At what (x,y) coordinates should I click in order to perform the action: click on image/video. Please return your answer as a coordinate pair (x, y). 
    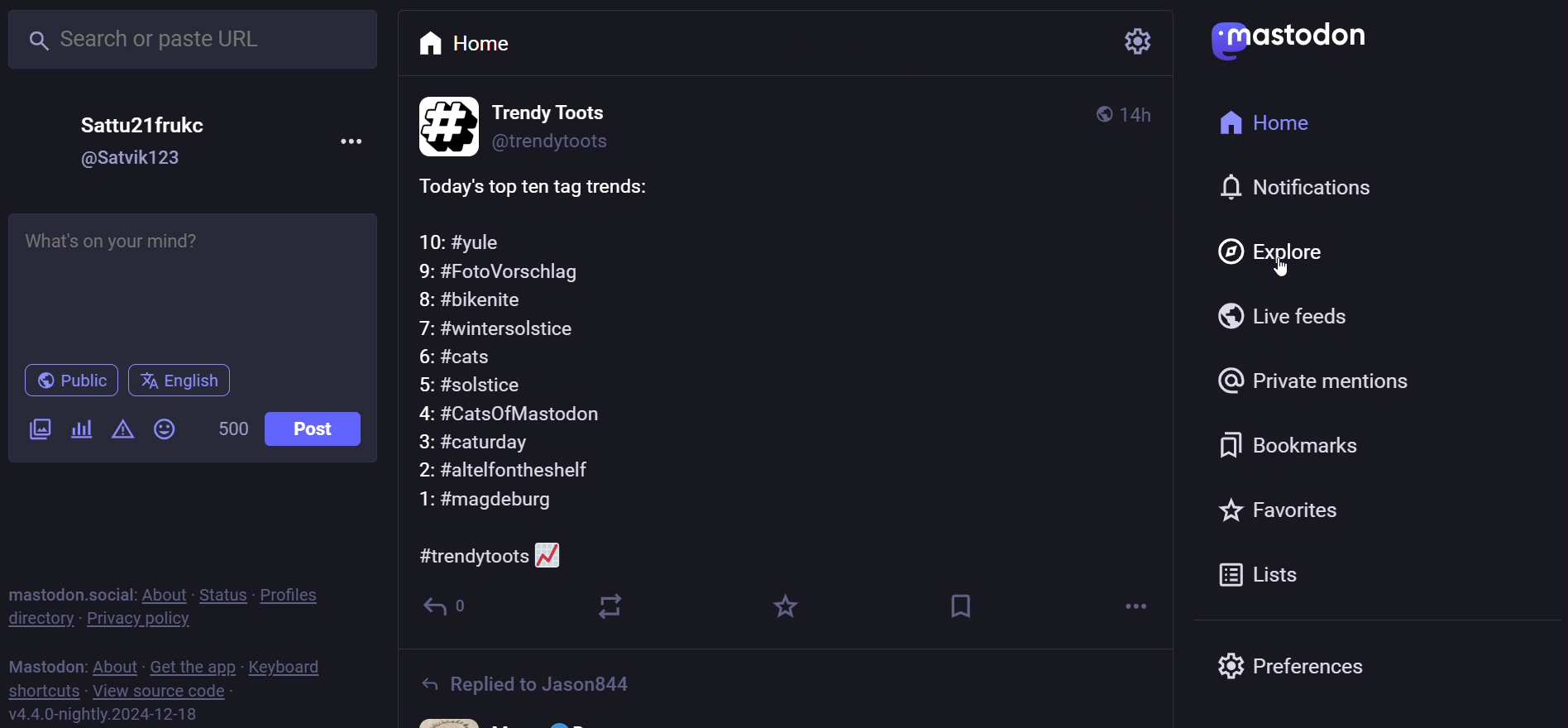
    Looking at the image, I should click on (36, 429).